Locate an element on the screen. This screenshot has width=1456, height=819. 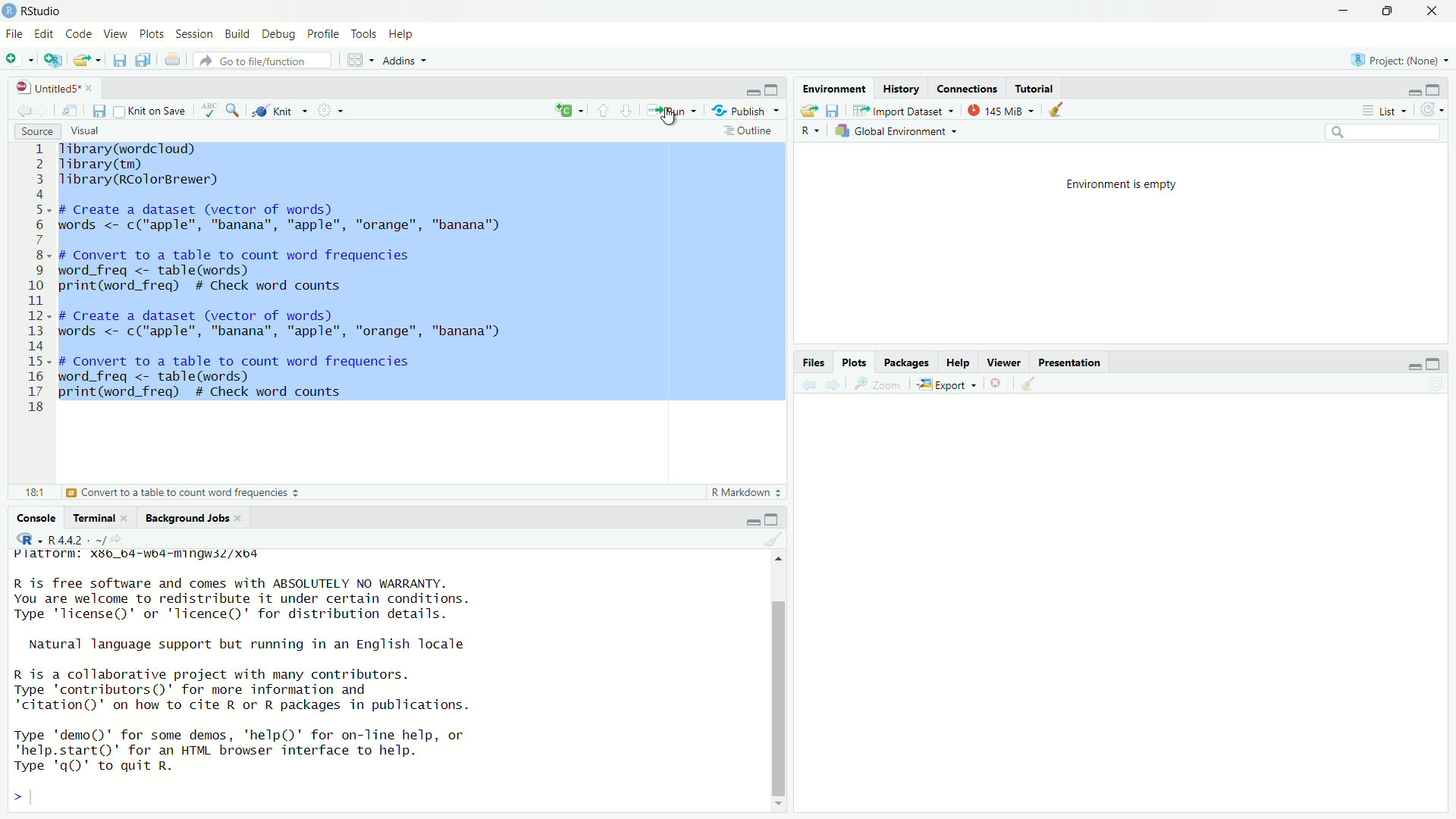
maximize is located at coordinates (1436, 91).